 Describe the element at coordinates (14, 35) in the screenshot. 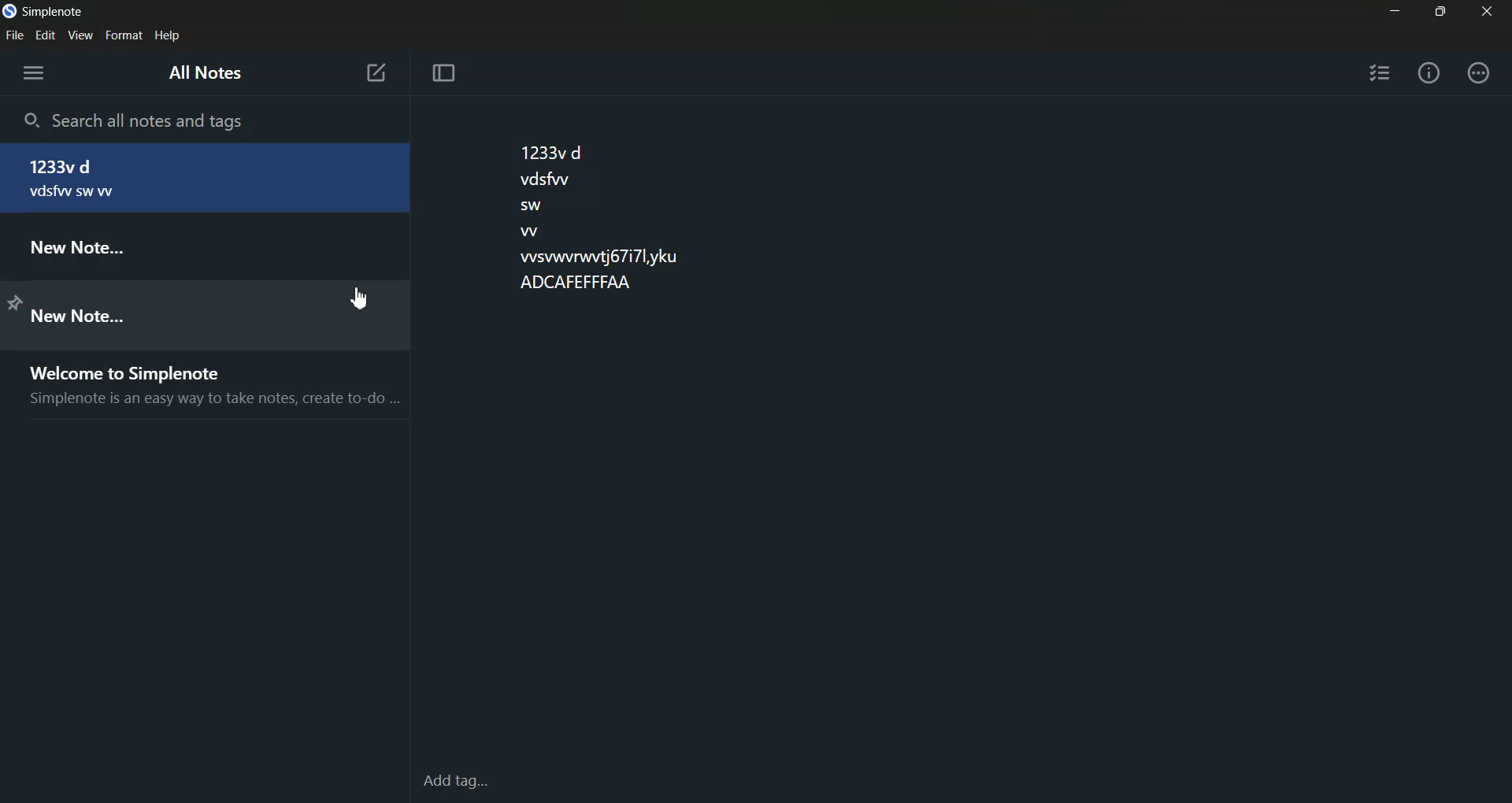

I see `File` at that location.